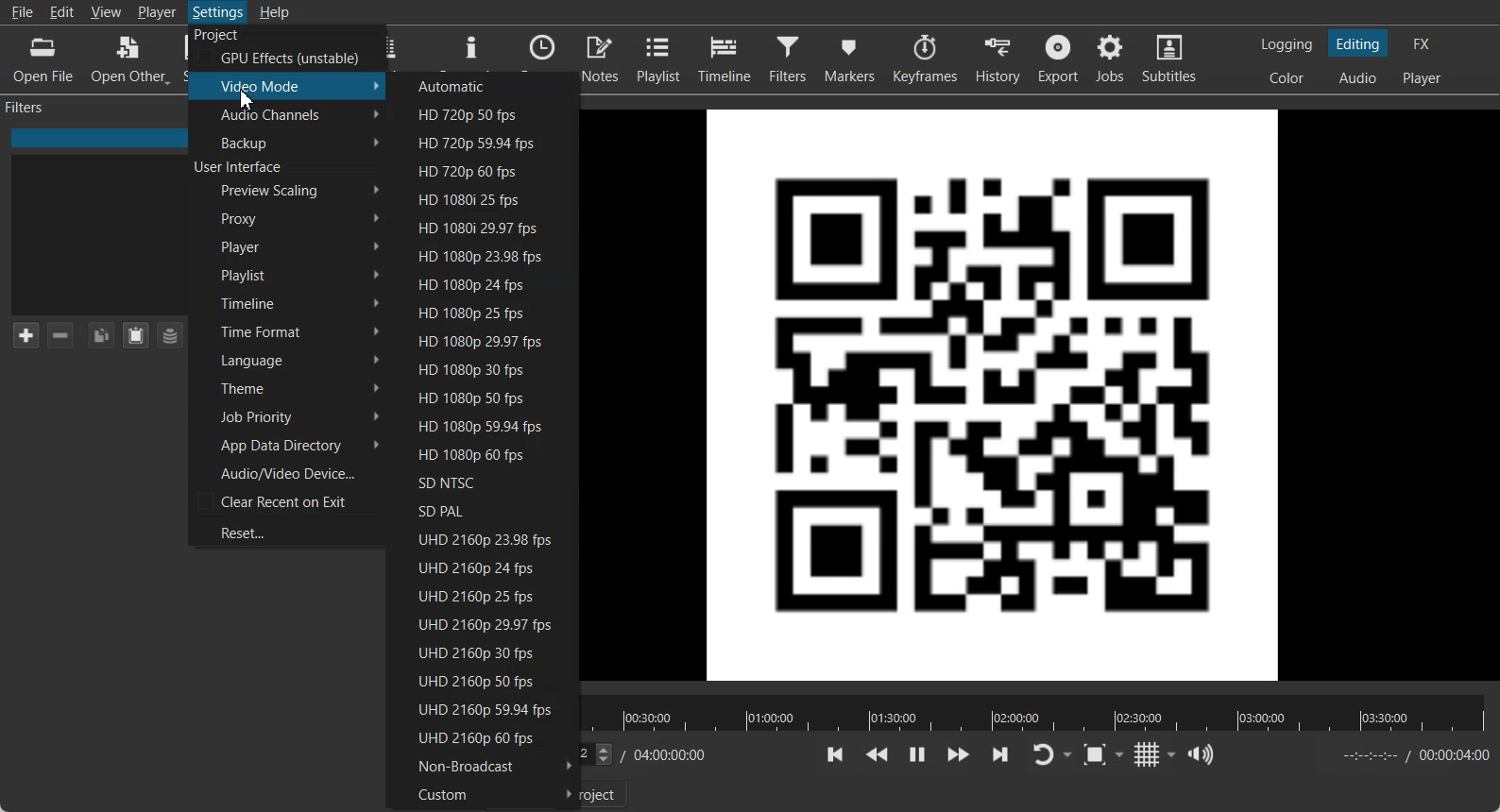  What do you see at coordinates (288, 246) in the screenshot?
I see `Player` at bounding box center [288, 246].